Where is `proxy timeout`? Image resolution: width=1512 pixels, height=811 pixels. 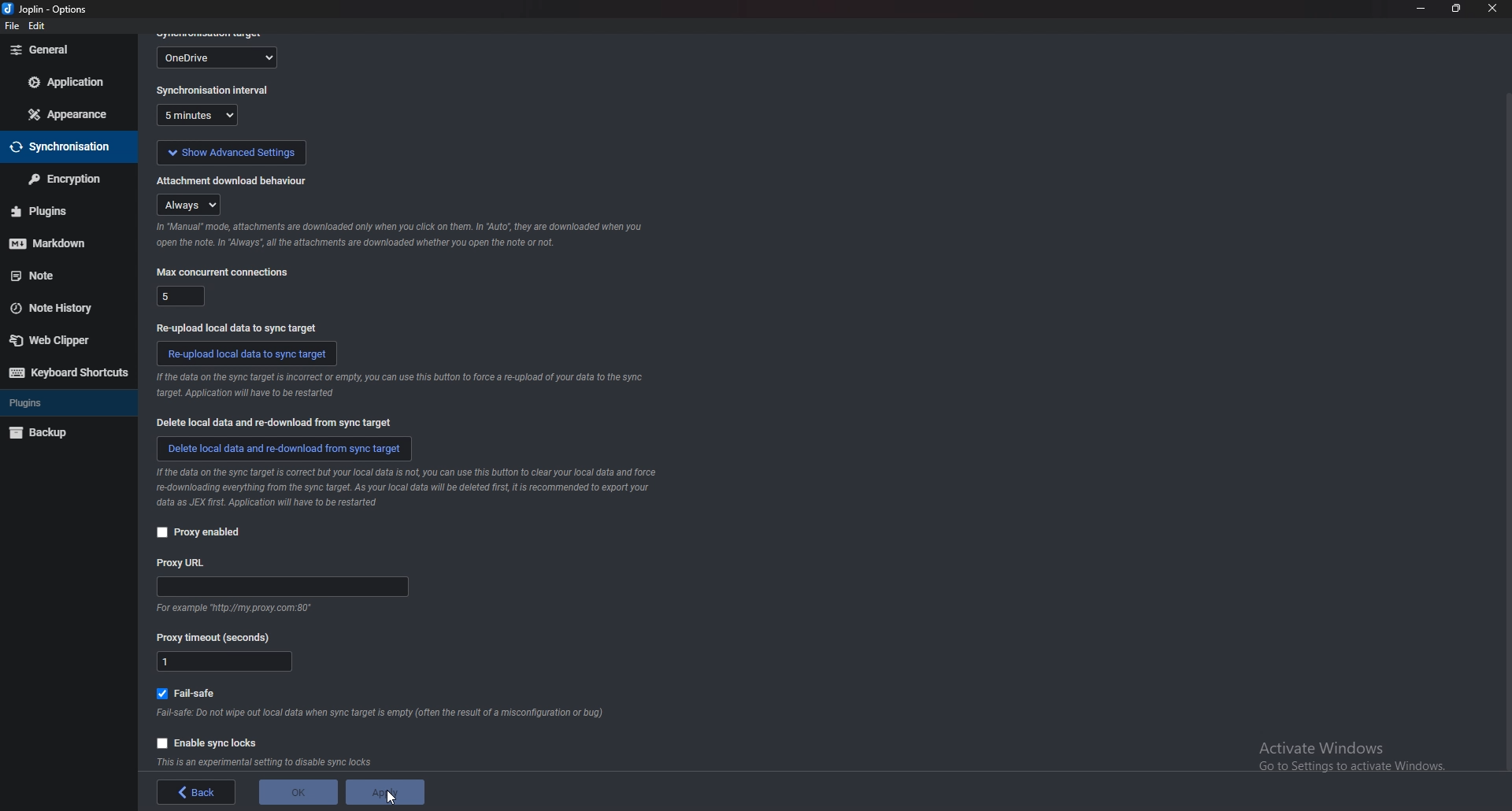 proxy timeout is located at coordinates (225, 663).